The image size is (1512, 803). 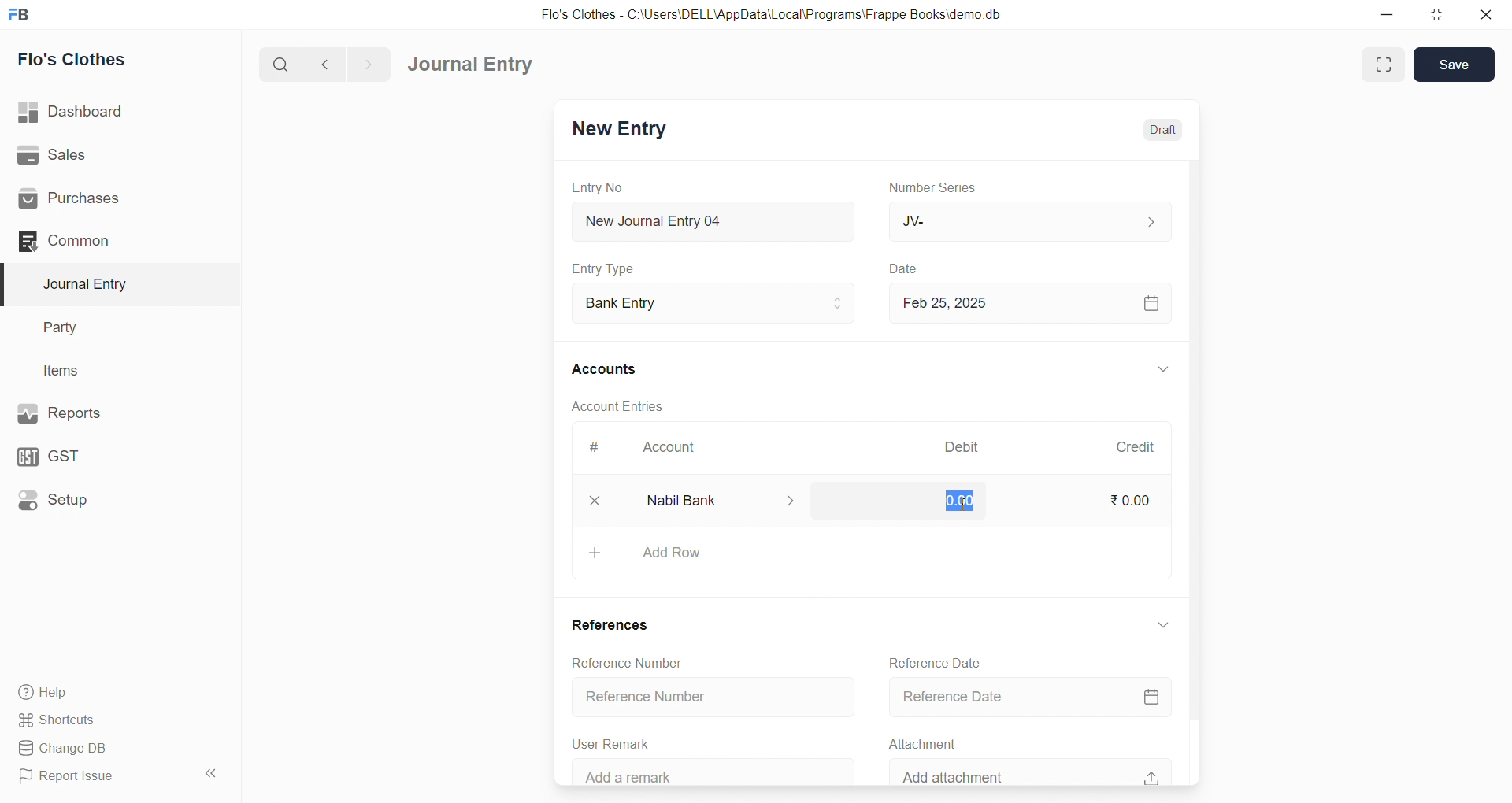 I want to click on ₹ 0.00, so click(x=950, y=499).